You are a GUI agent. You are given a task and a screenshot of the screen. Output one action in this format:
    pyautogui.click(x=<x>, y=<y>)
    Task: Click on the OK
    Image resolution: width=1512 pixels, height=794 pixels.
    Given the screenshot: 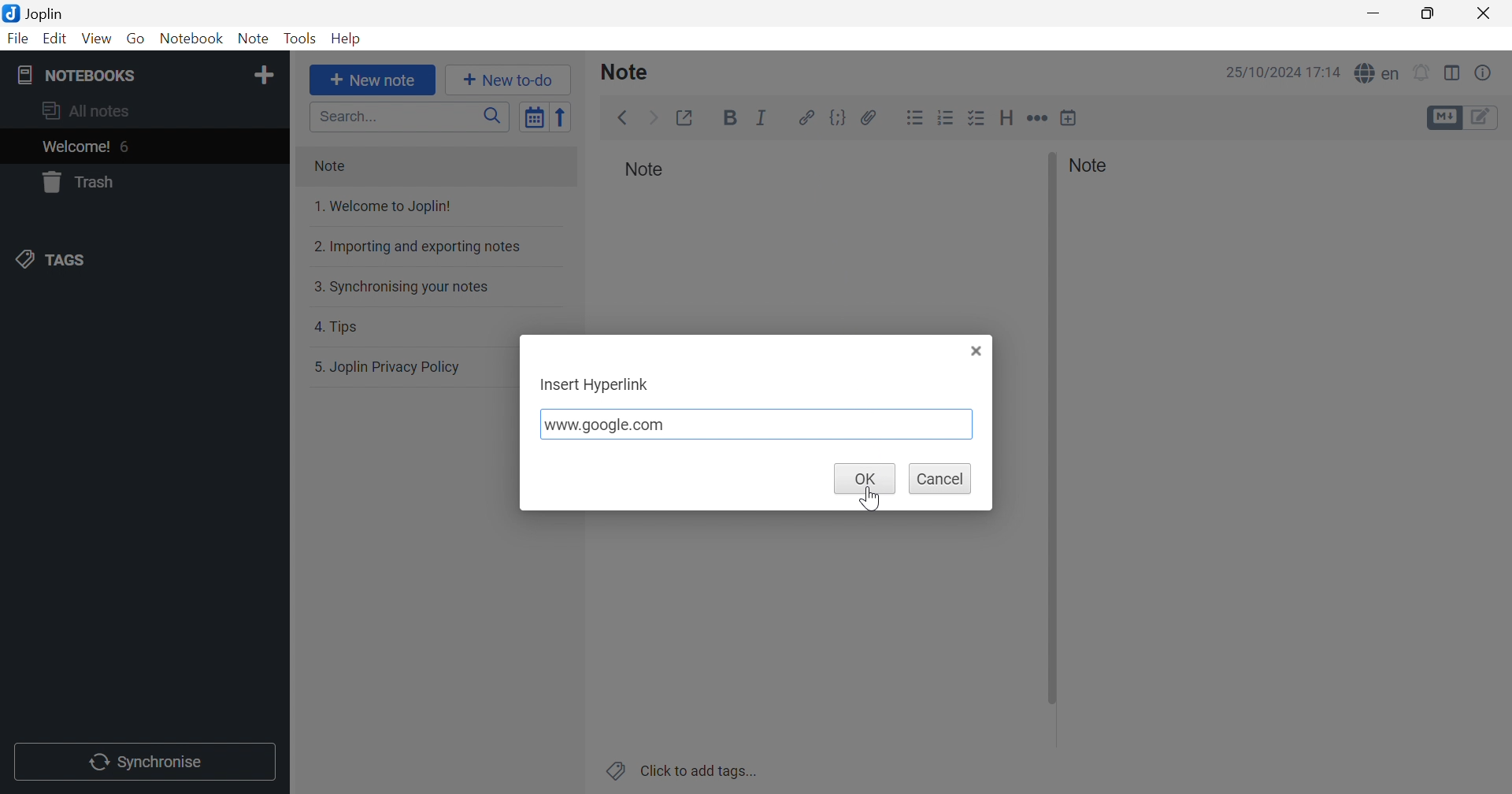 What is the action you would take?
    pyautogui.click(x=865, y=479)
    